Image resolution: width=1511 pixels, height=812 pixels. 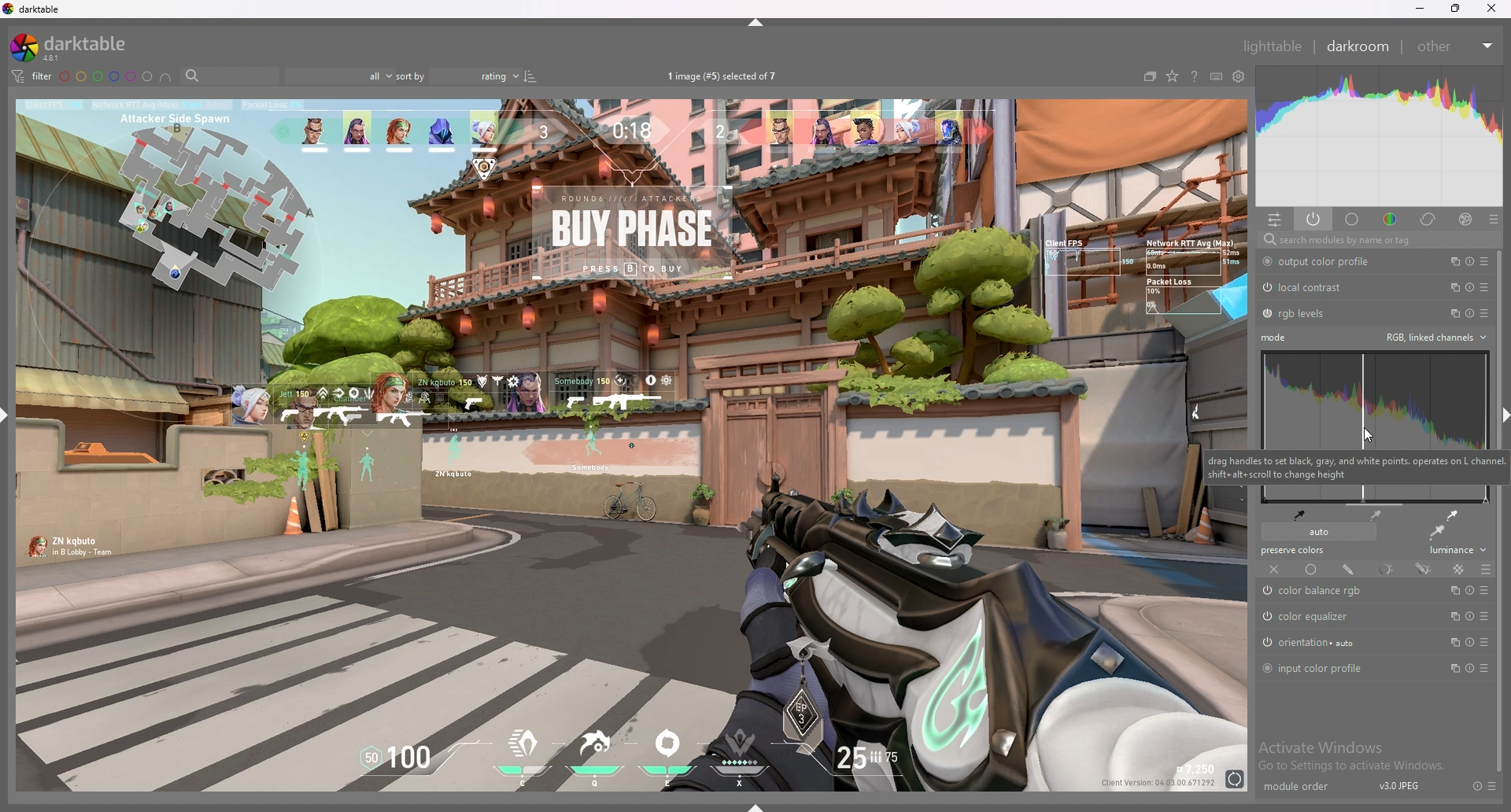 I want to click on luminance, so click(x=1457, y=550).